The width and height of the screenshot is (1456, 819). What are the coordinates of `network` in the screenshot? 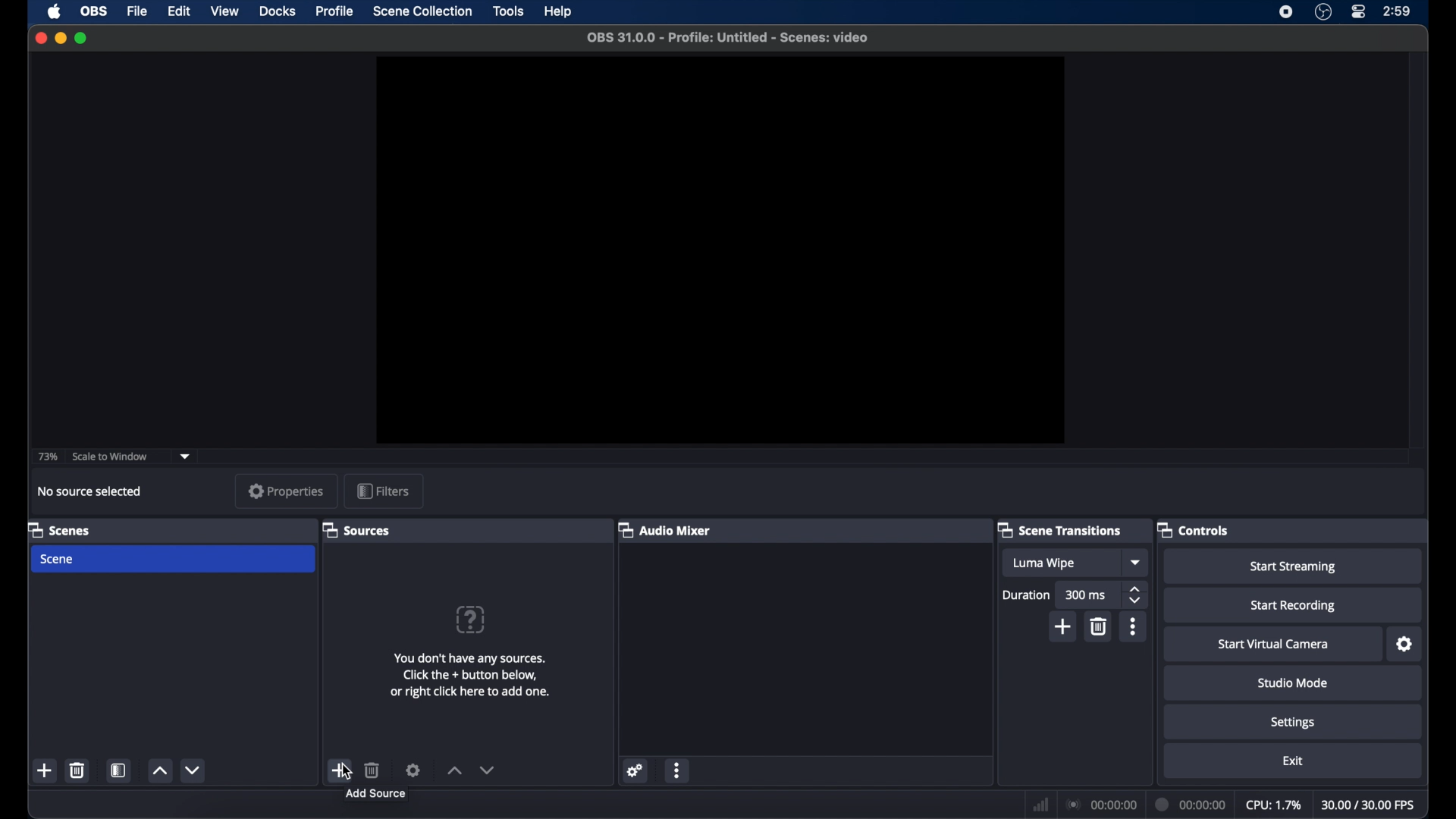 It's located at (1041, 805).